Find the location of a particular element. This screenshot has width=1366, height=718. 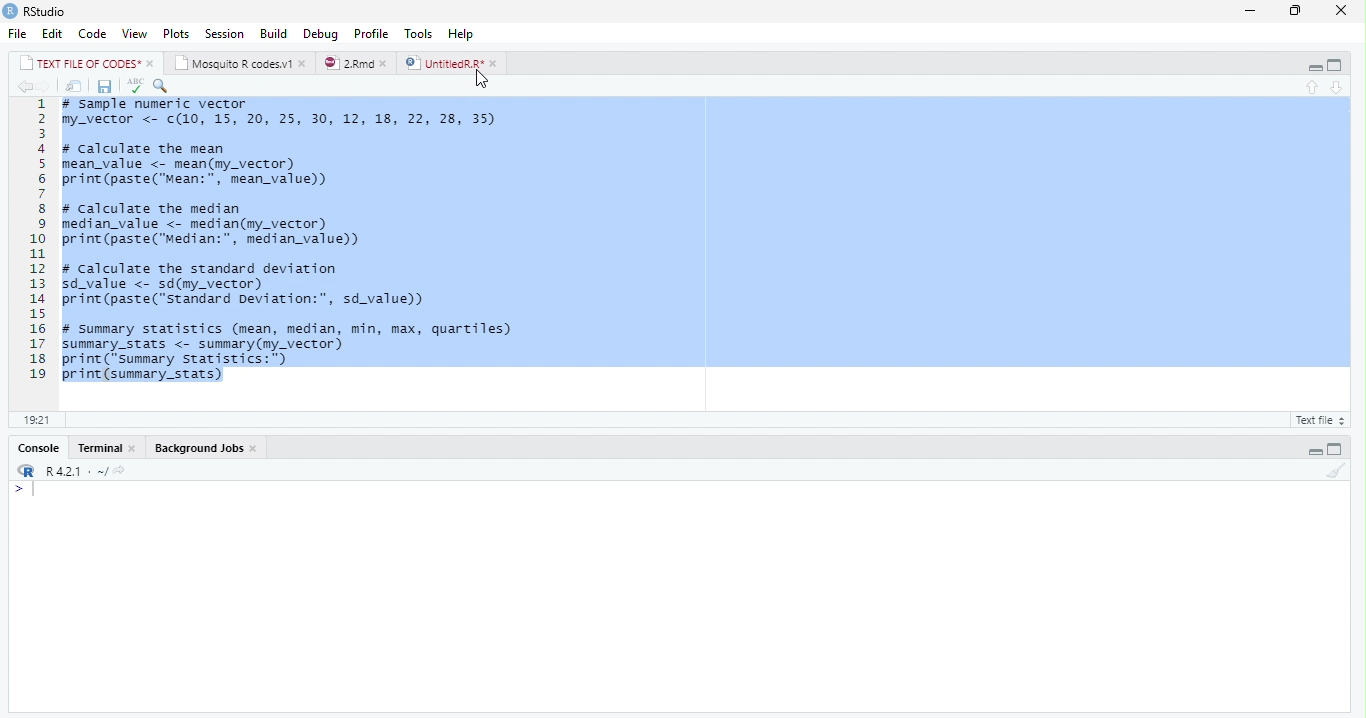

find and replace is located at coordinates (161, 86).